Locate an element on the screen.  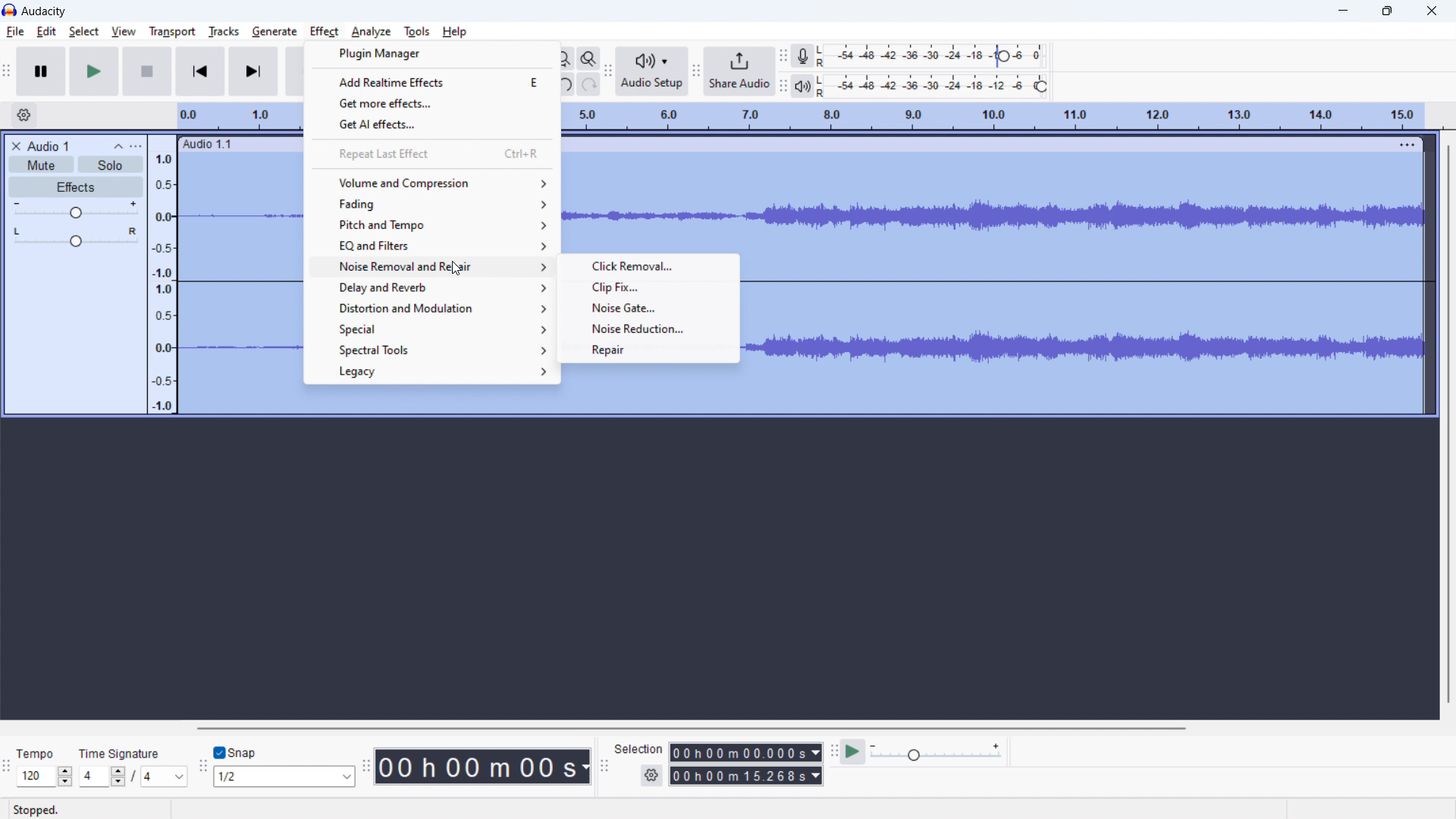
view is located at coordinates (123, 30).